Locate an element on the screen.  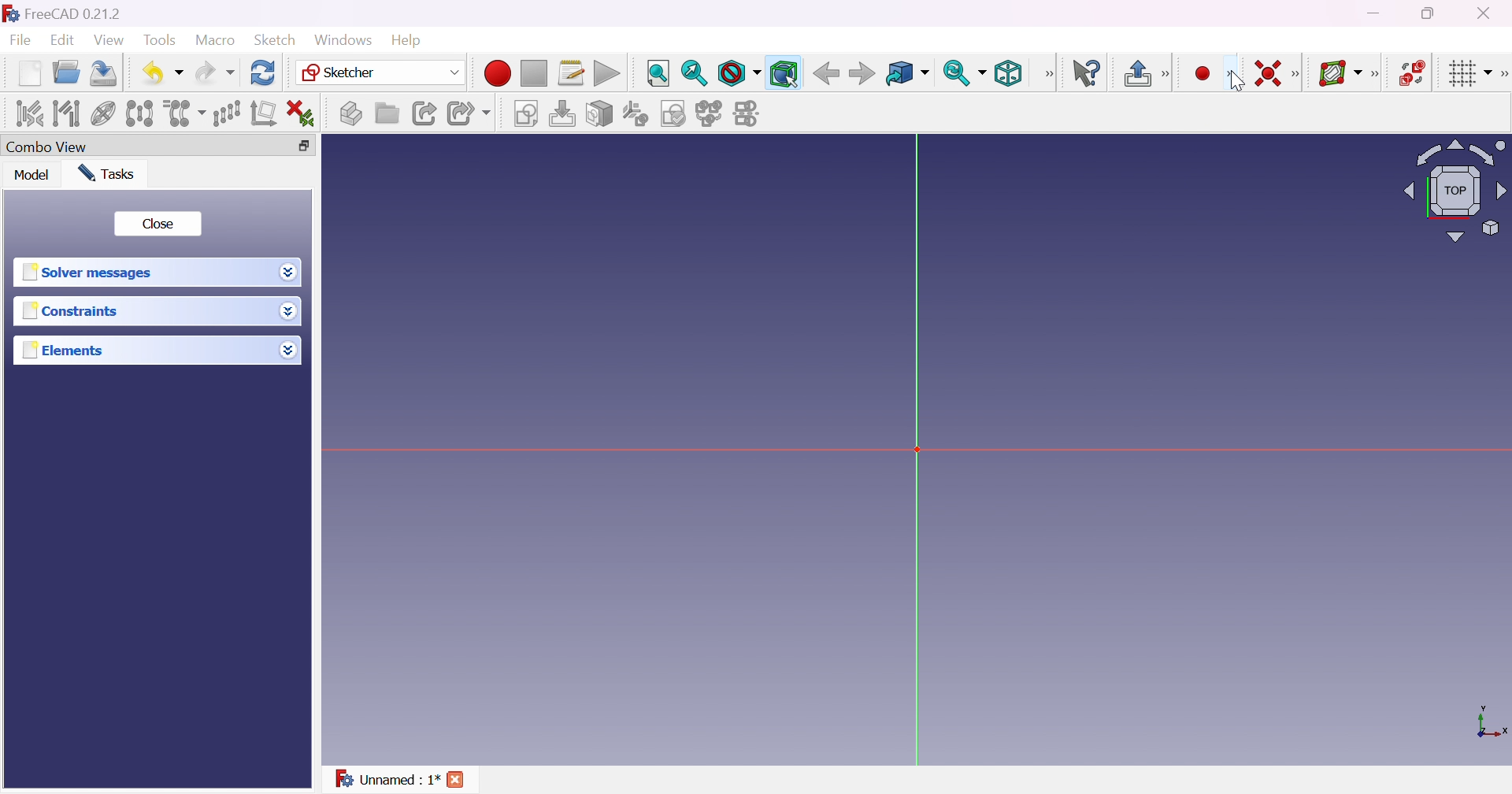
Tools is located at coordinates (161, 40).